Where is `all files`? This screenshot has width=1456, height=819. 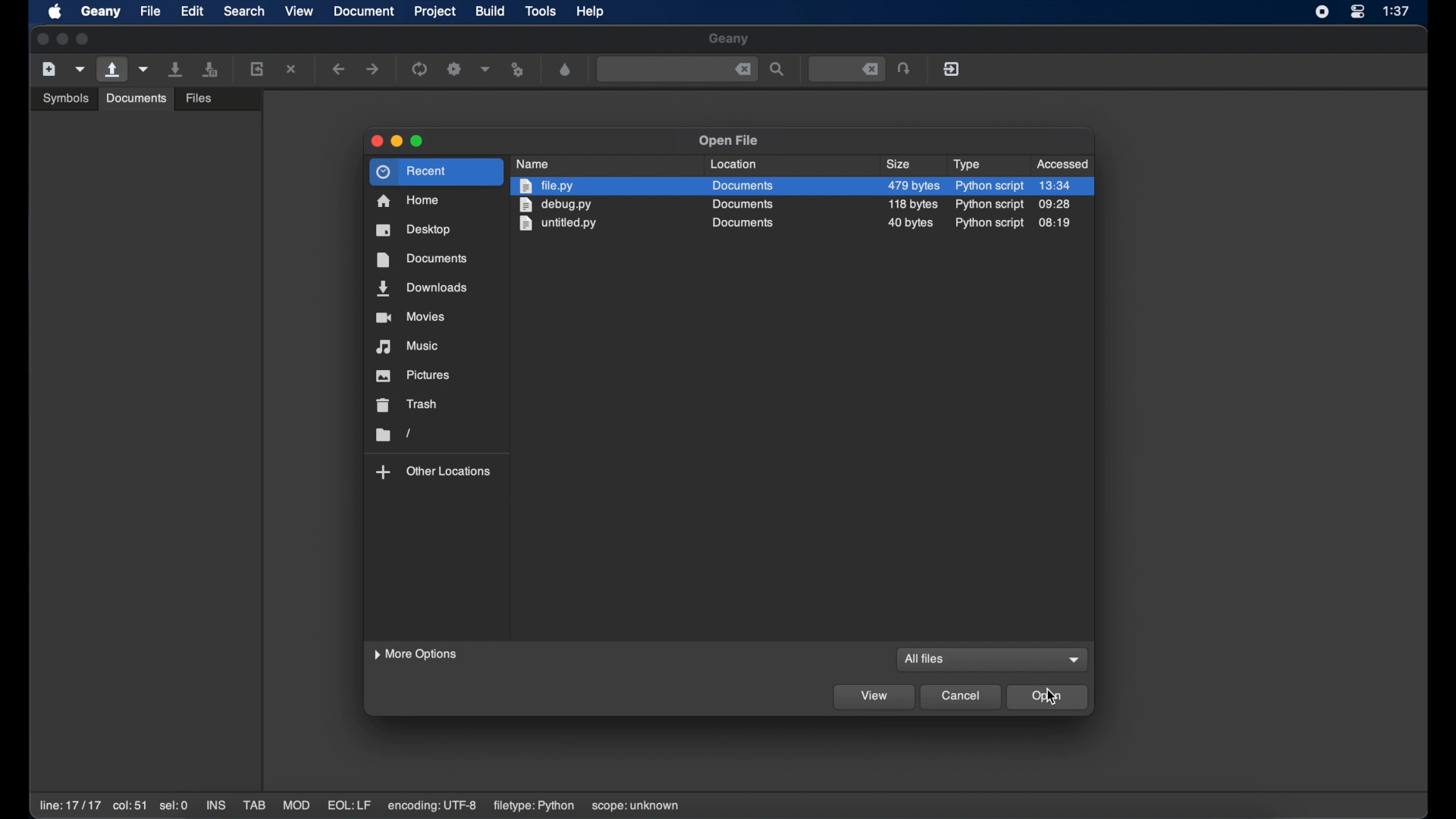
all files is located at coordinates (923, 660).